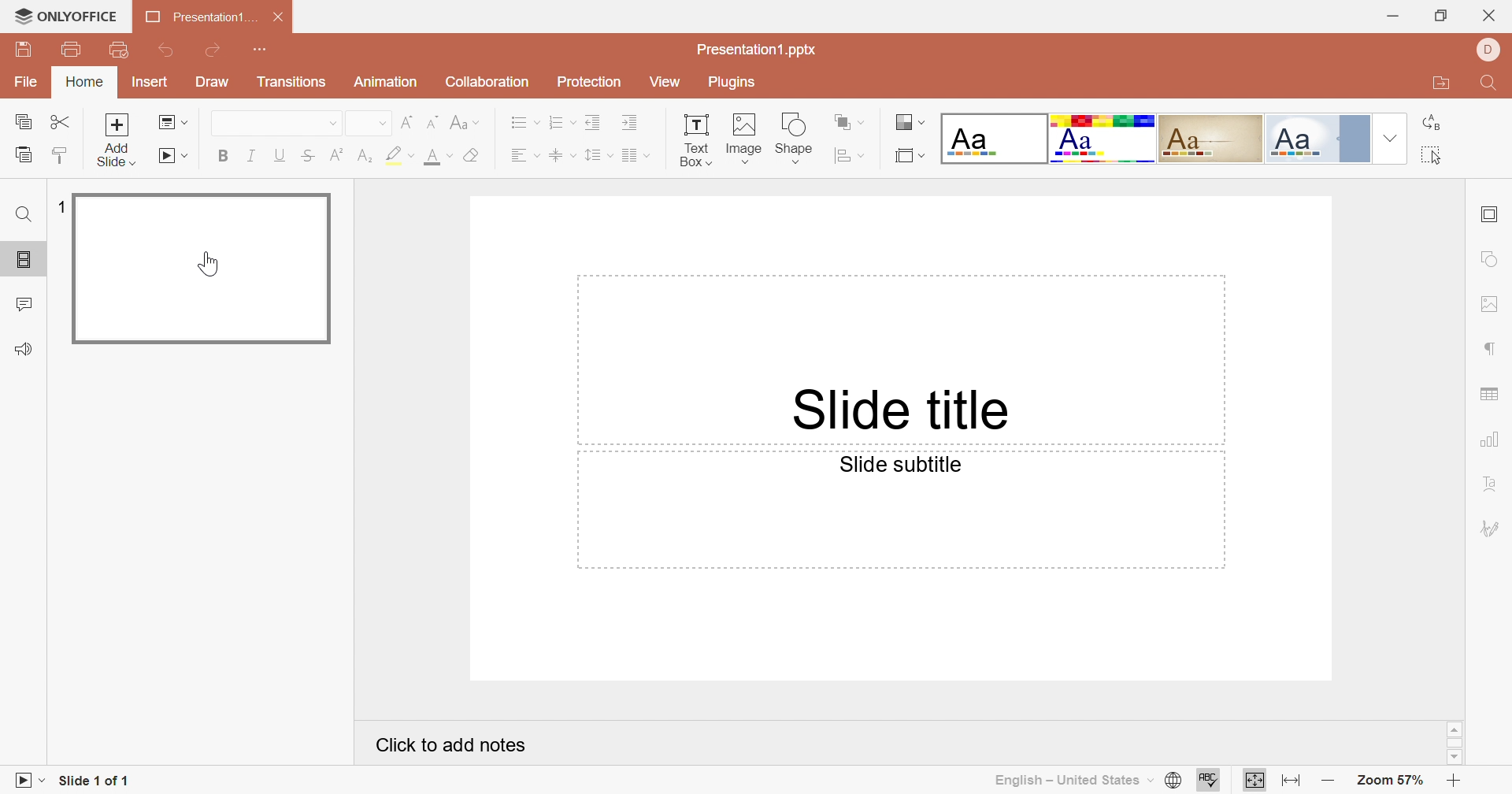  What do you see at coordinates (795, 136) in the screenshot?
I see `shape` at bounding box center [795, 136].